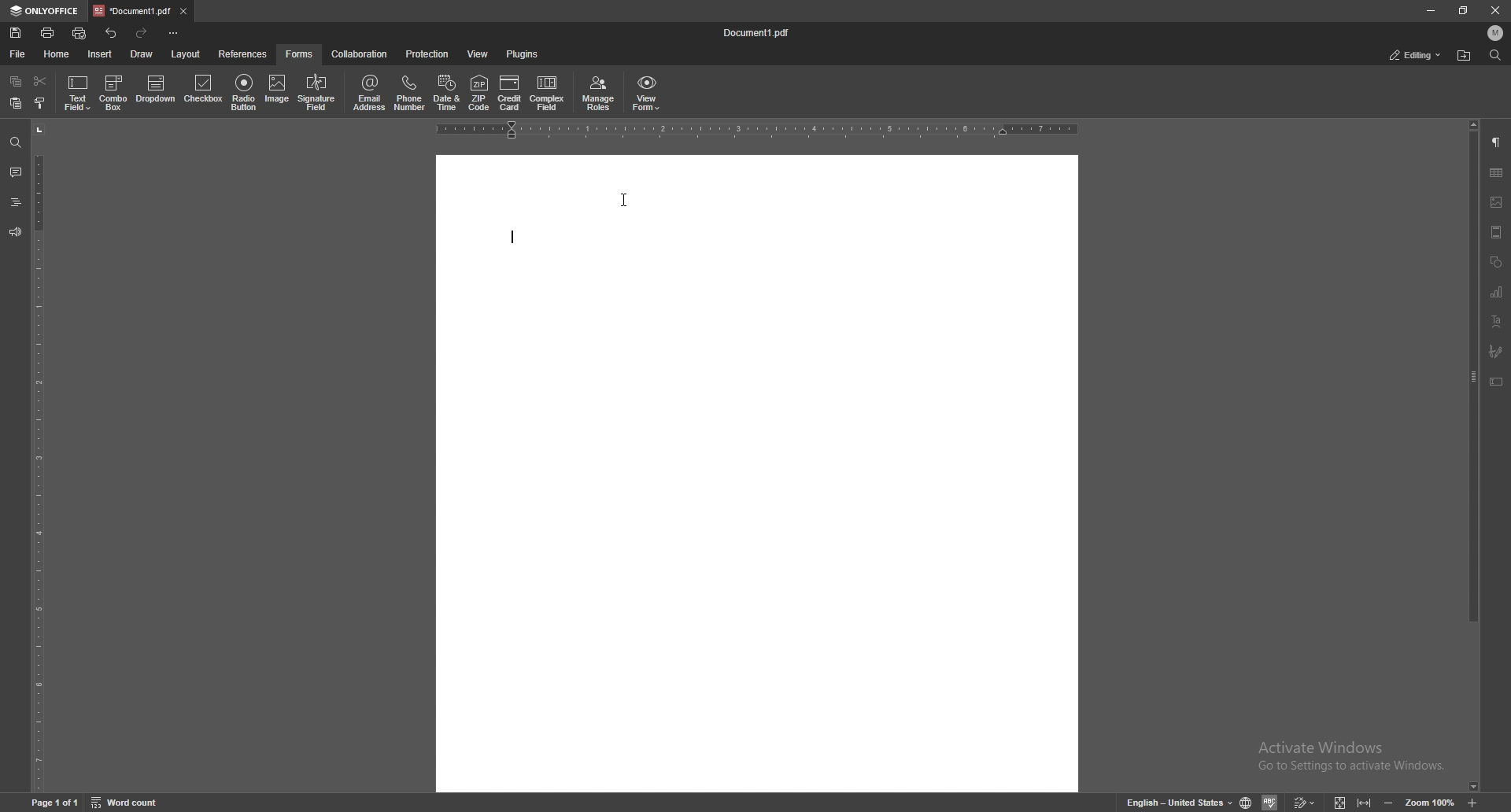 The image size is (1511, 812). What do you see at coordinates (99, 54) in the screenshot?
I see `insert` at bounding box center [99, 54].